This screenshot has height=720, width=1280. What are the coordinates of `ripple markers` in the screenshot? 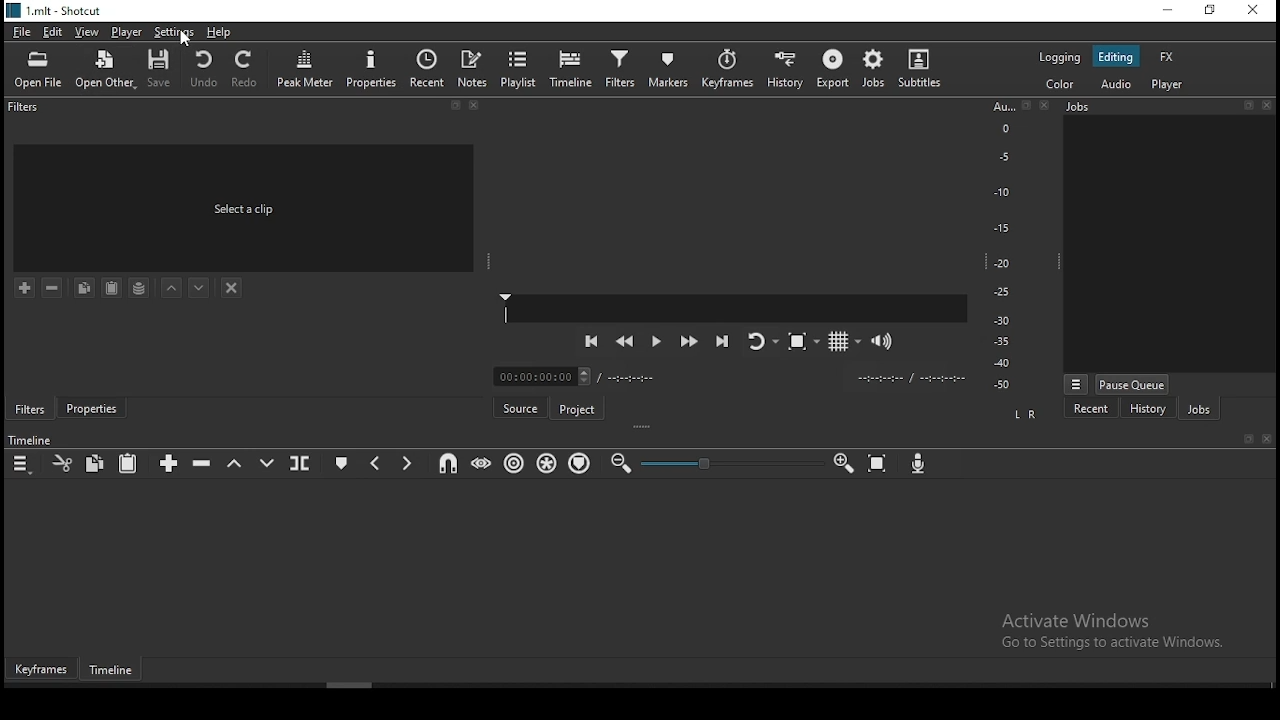 It's located at (579, 464).